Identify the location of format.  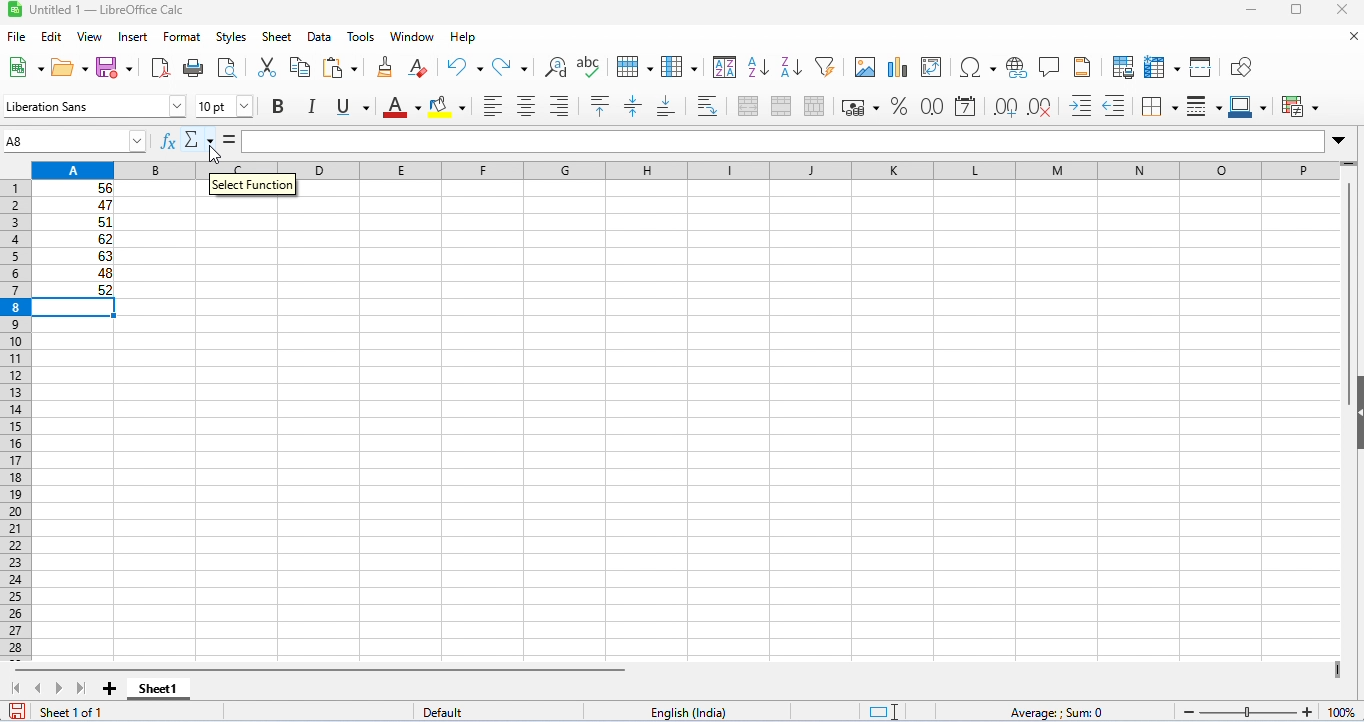
(182, 38).